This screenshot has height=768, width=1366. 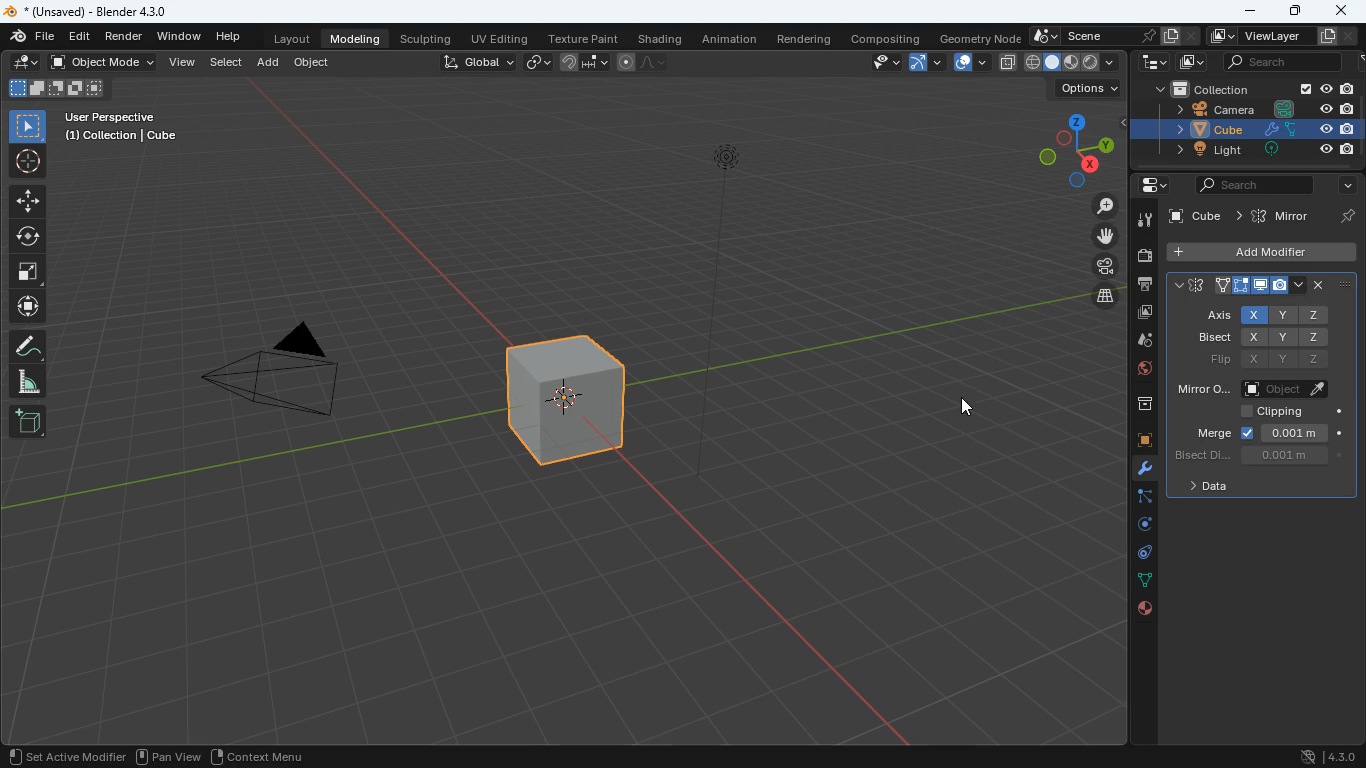 I want to click on add modifier, so click(x=1258, y=252).